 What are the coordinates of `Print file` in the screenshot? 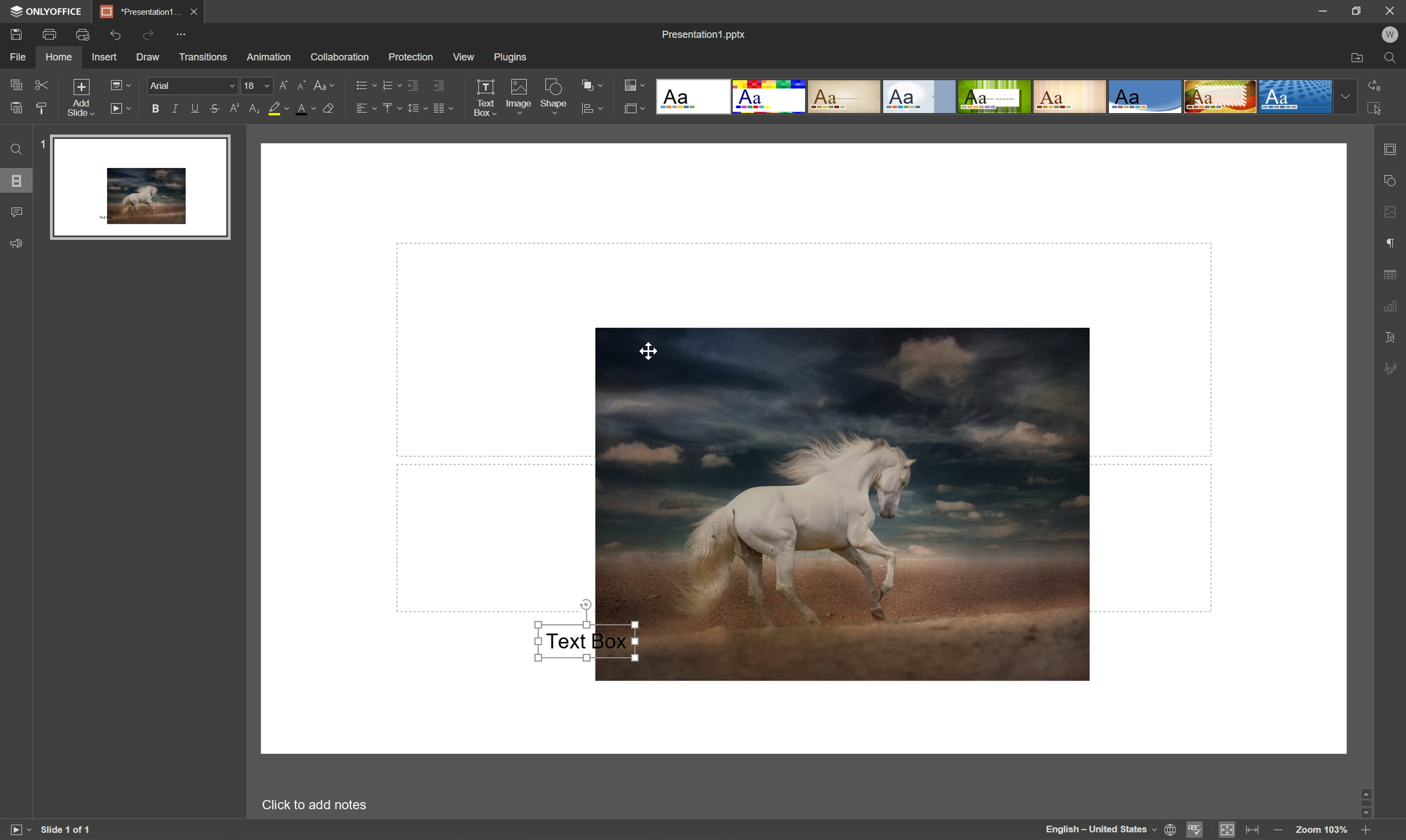 It's located at (50, 32).